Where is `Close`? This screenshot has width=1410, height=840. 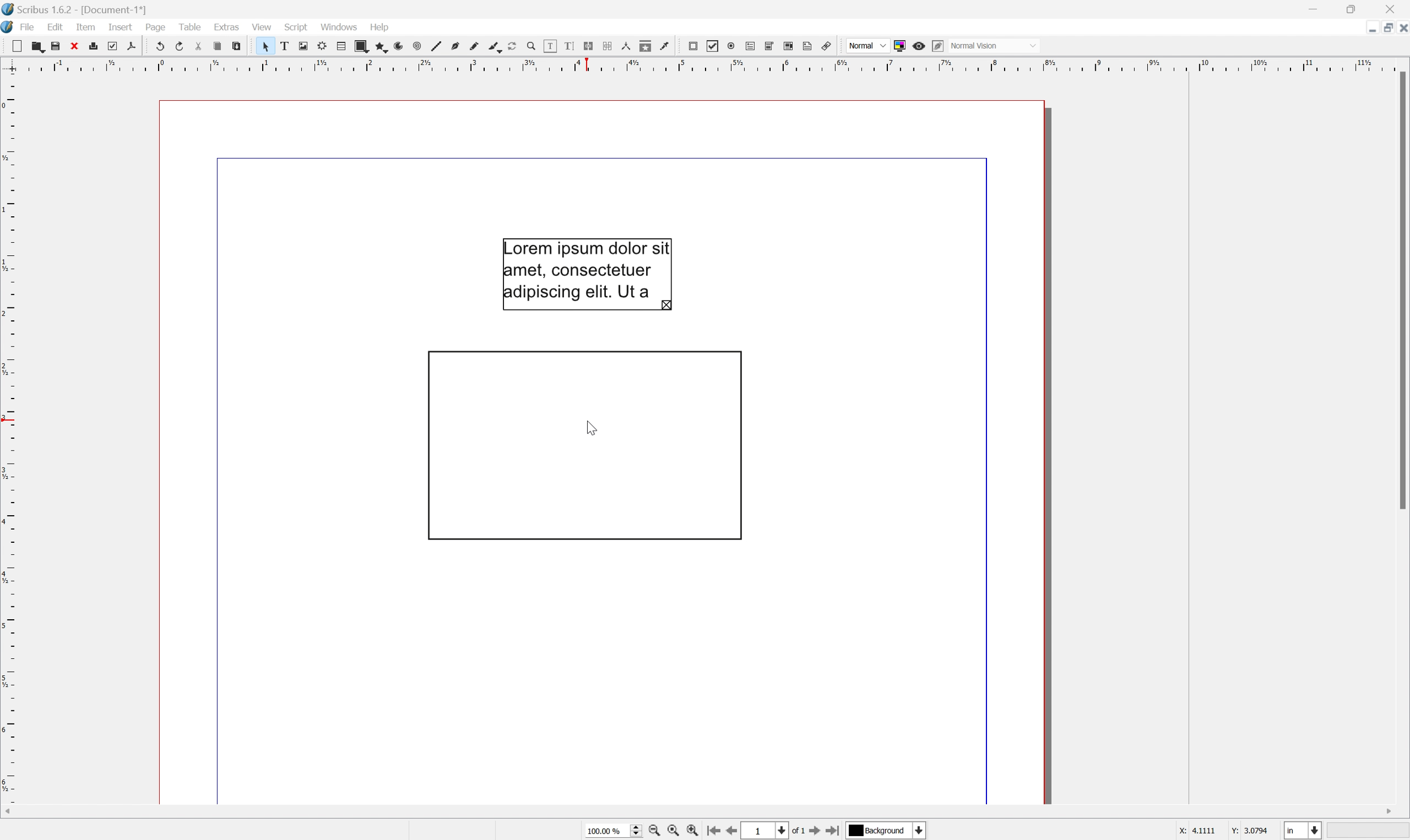 Close is located at coordinates (1392, 8).